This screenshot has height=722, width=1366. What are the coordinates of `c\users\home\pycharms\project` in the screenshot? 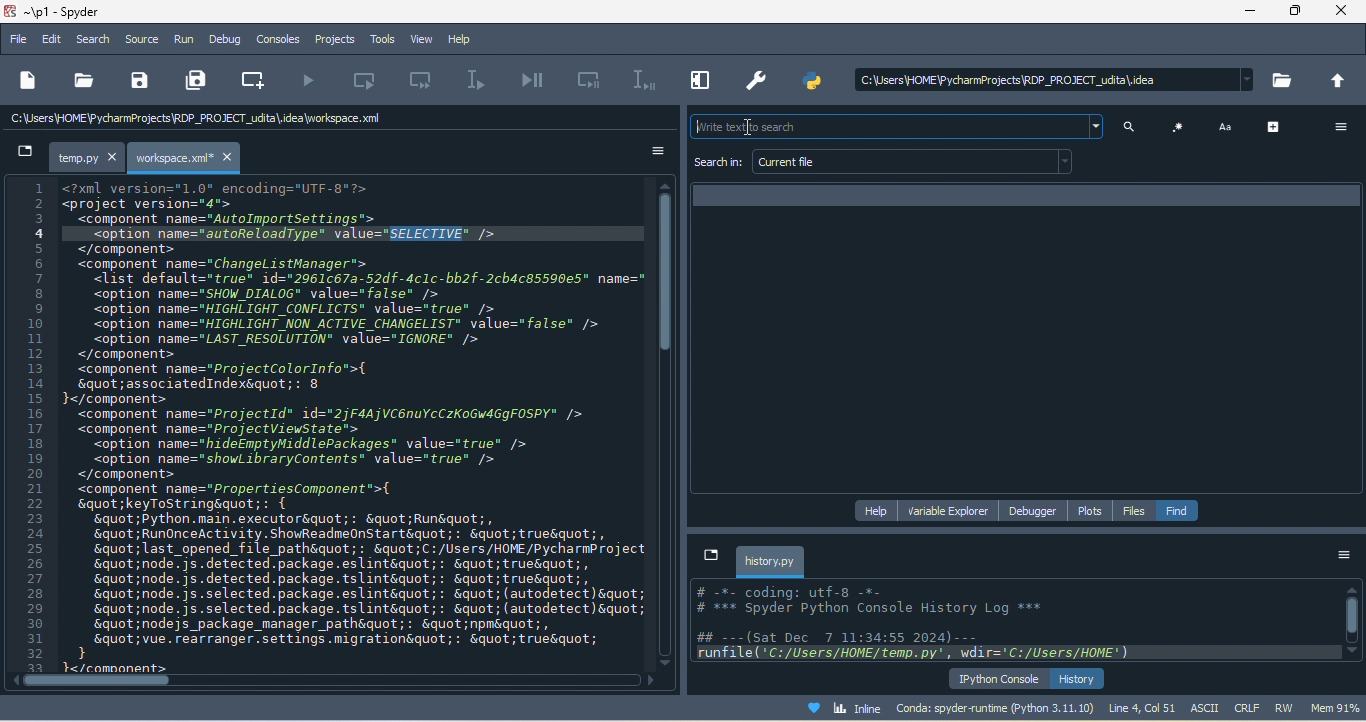 It's located at (1047, 80).